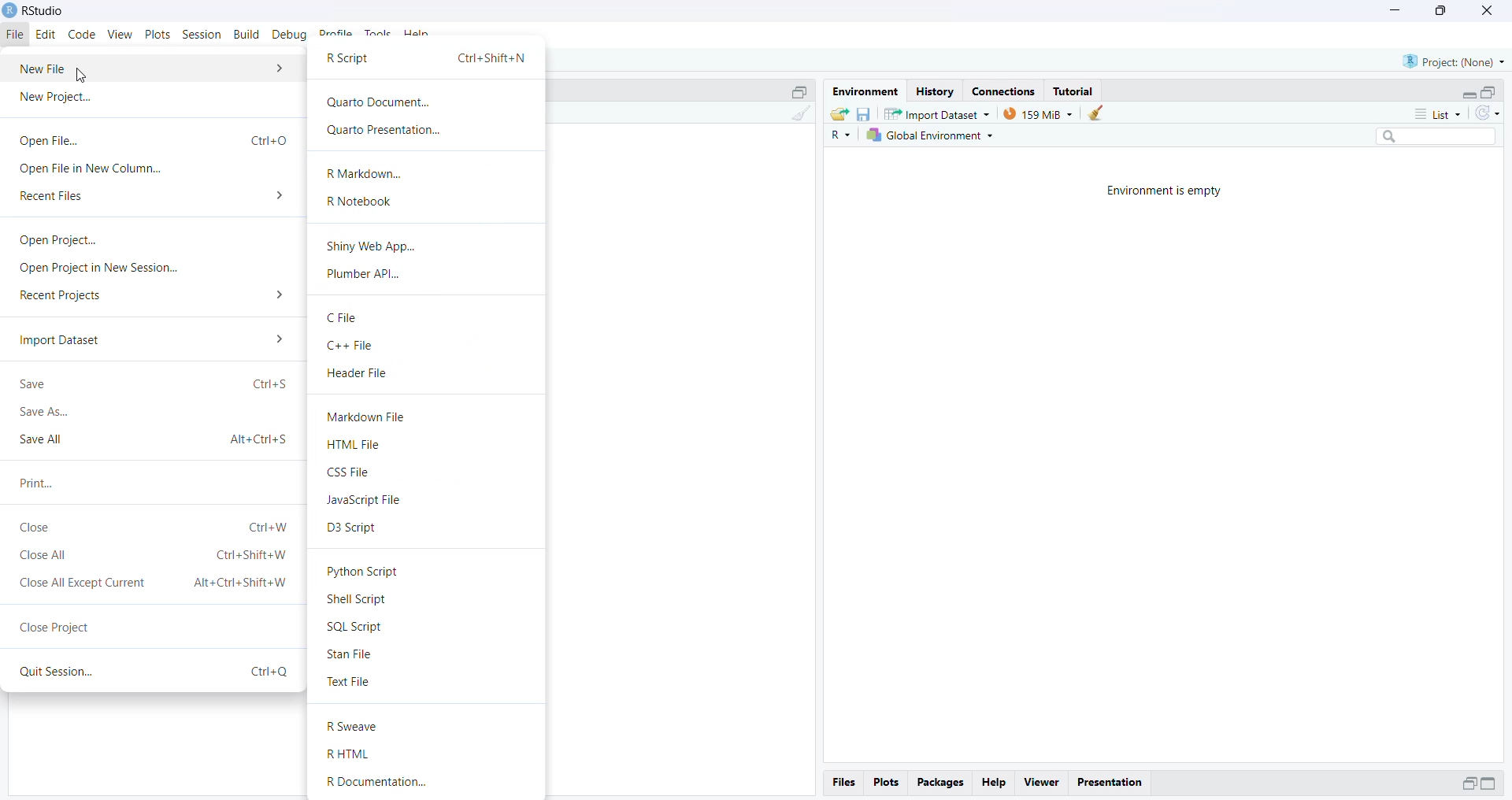 Image resolution: width=1512 pixels, height=800 pixels. I want to click on plots, so click(159, 35).